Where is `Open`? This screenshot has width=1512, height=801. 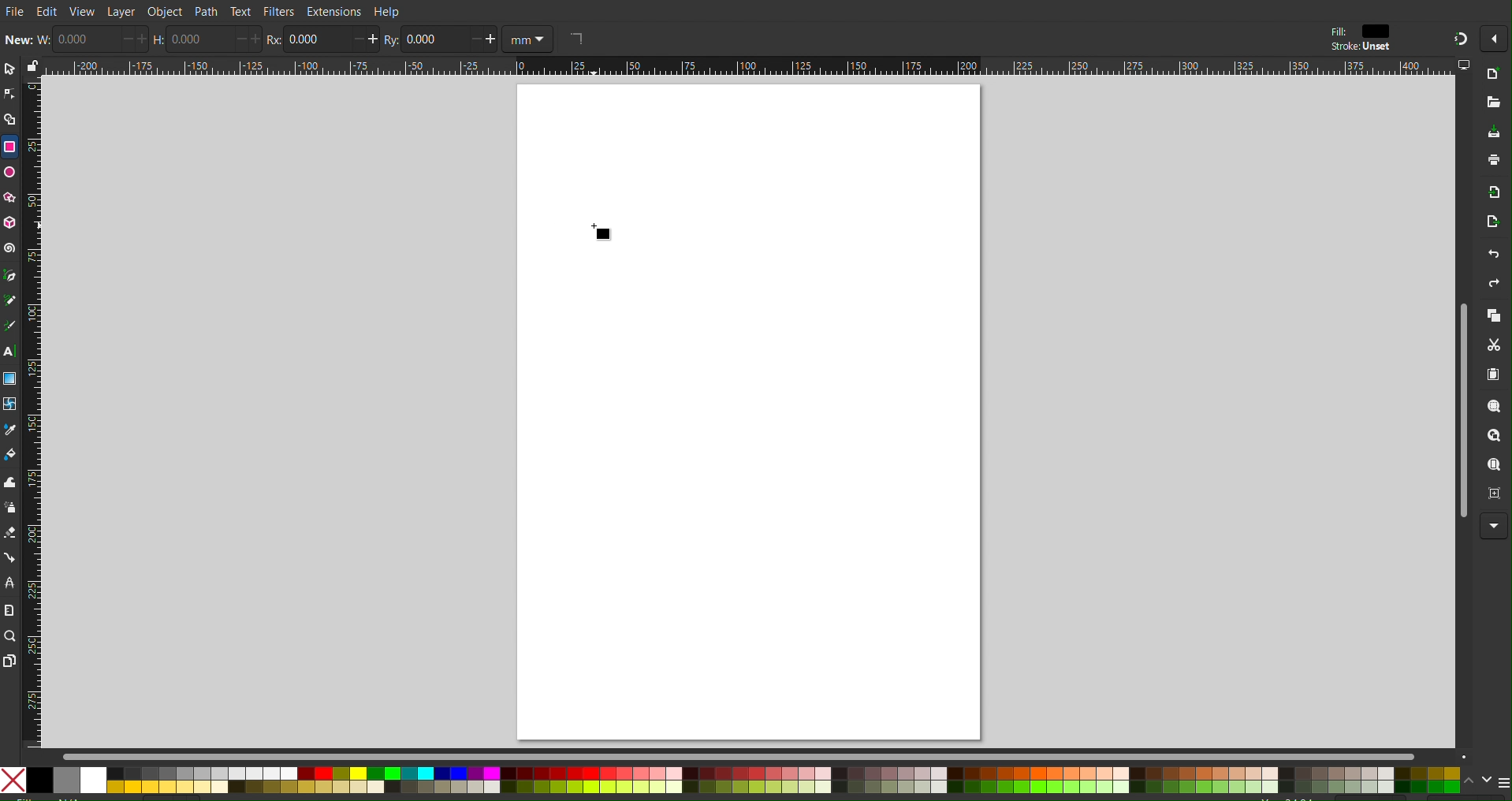 Open is located at coordinates (1492, 103).